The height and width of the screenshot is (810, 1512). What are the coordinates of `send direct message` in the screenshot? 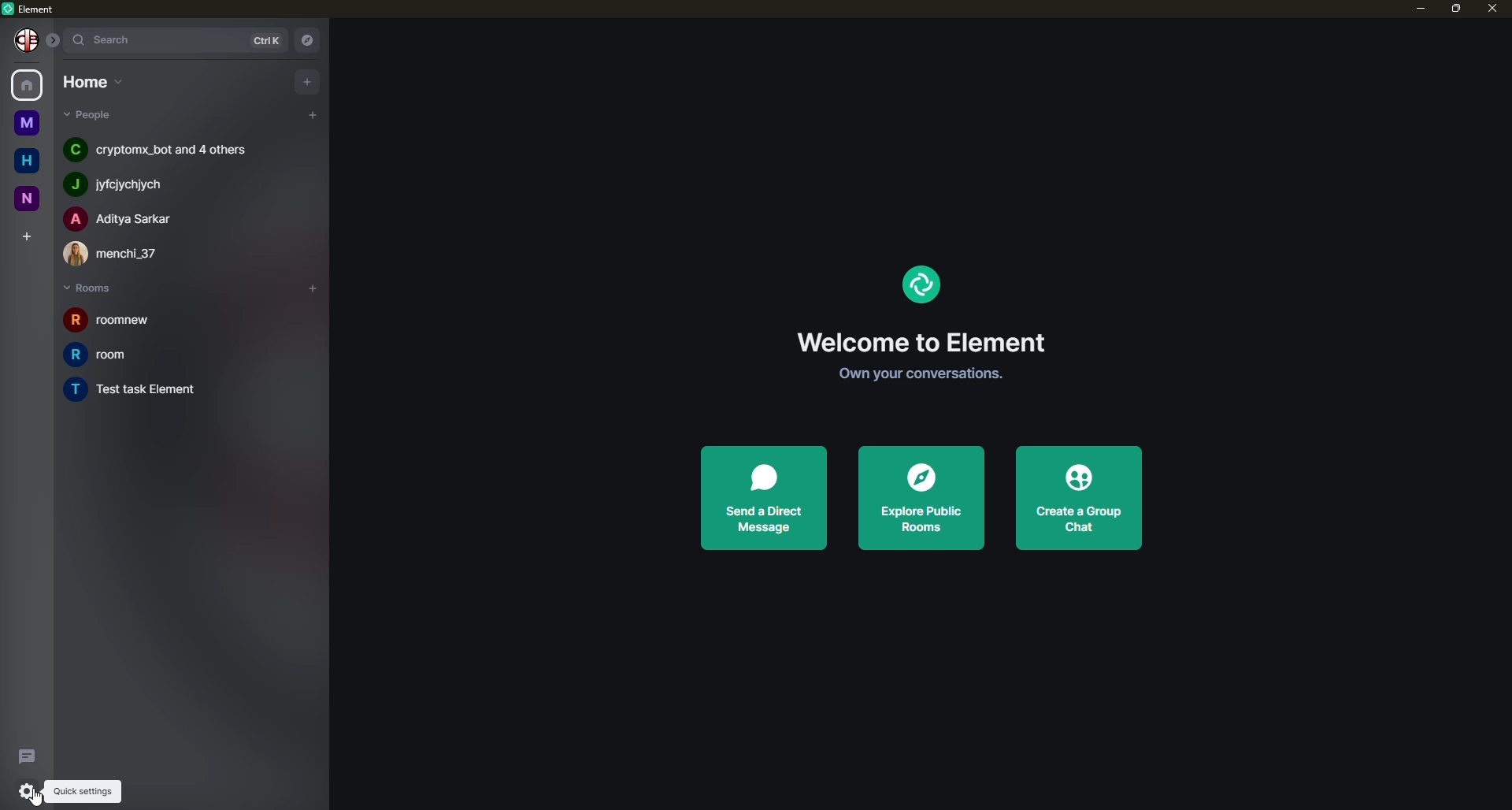 It's located at (763, 496).